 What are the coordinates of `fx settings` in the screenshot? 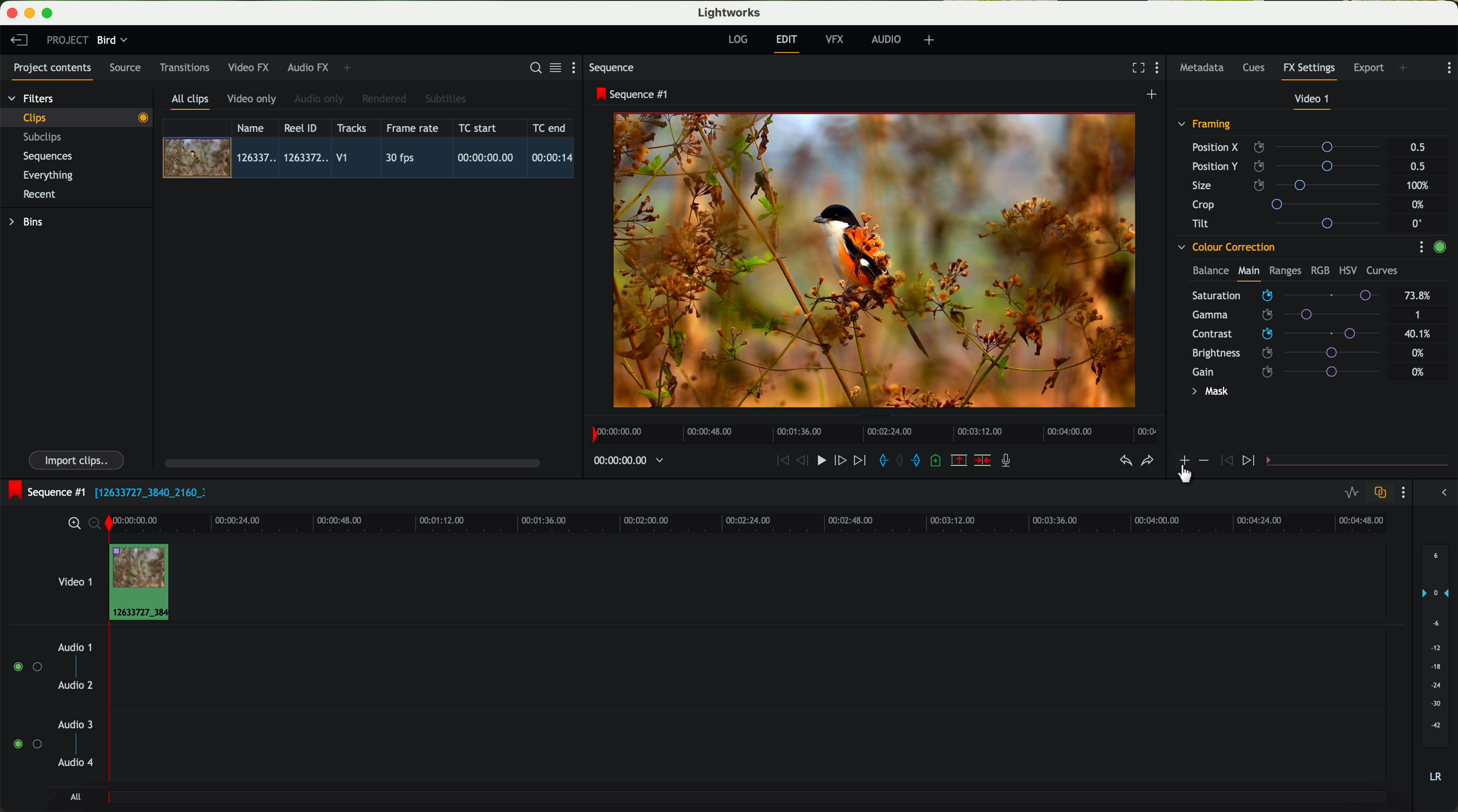 It's located at (1309, 71).